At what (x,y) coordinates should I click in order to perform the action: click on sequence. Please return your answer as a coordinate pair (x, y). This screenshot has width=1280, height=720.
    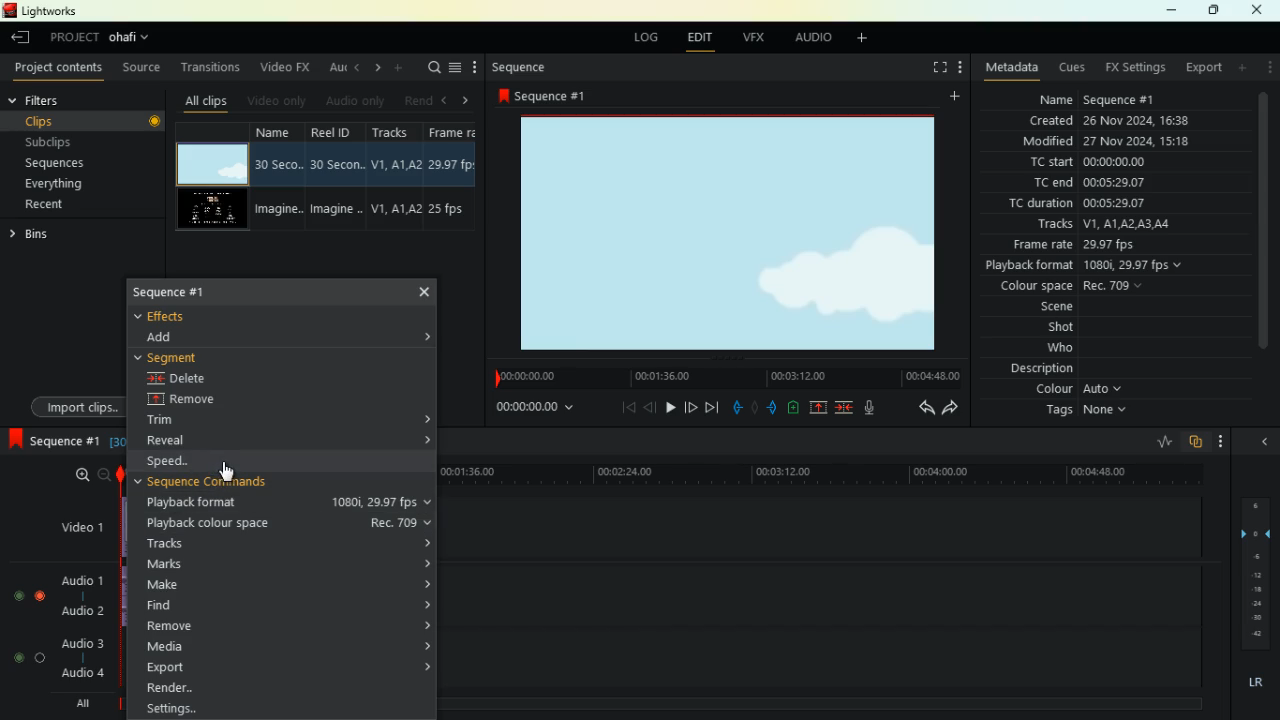
    Looking at the image, I should click on (533, 68).